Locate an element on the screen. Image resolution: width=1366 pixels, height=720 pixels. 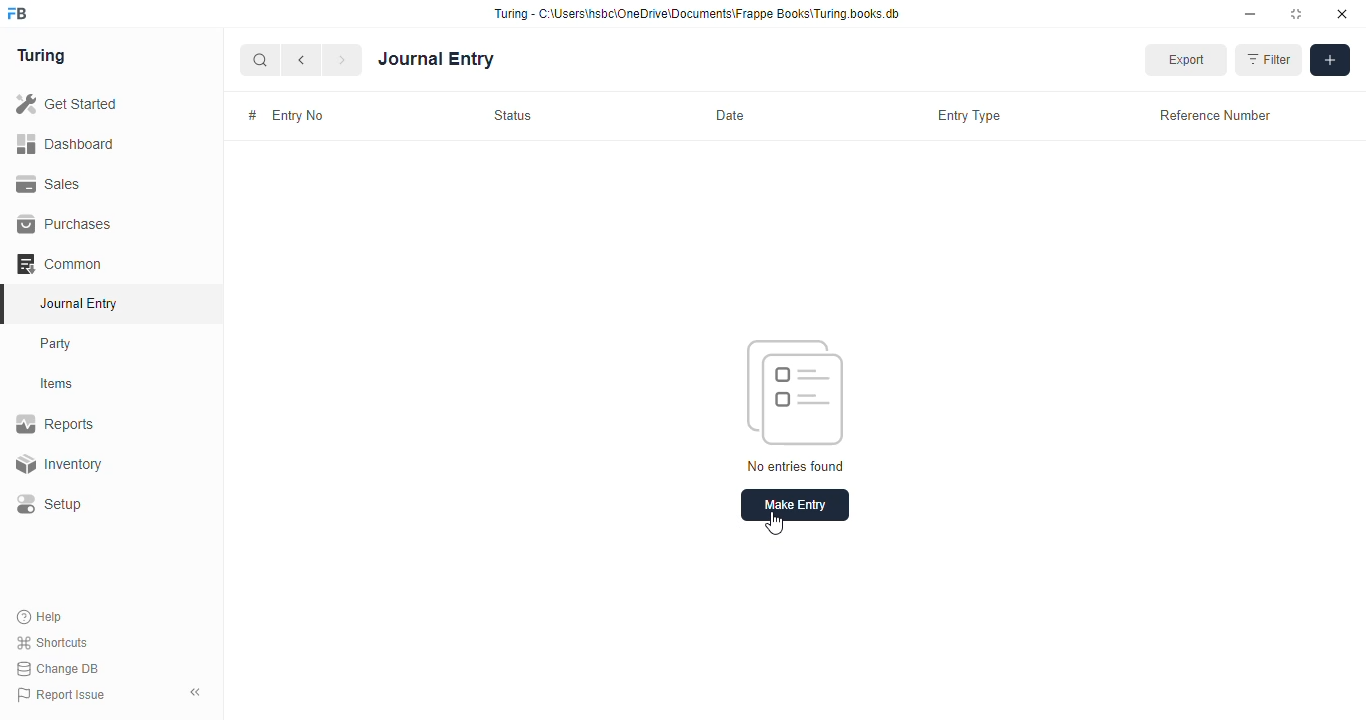
setup is located at coordinates (51, 505).